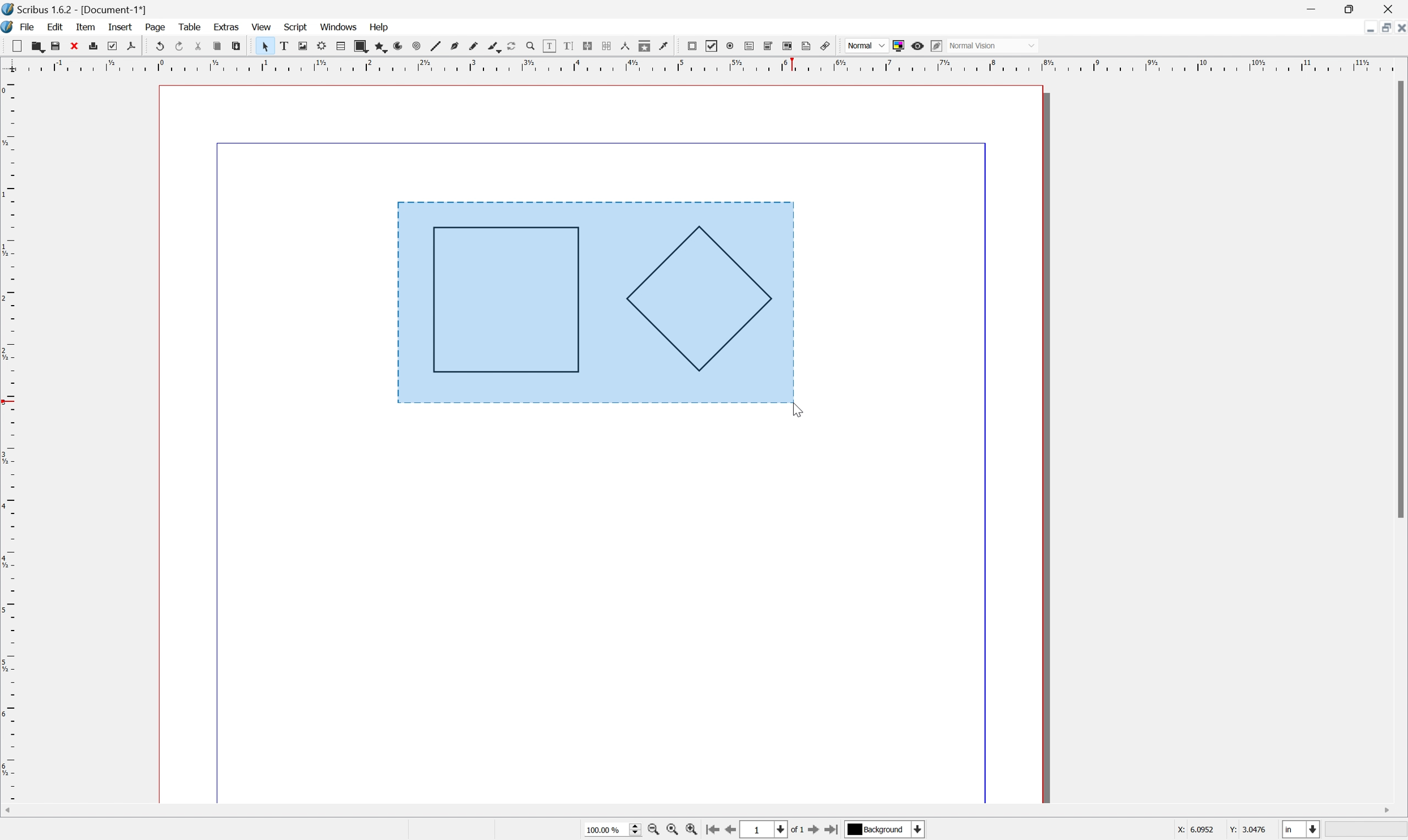  What do you see at coordinates (490, 45) in the screenshot?
I see `calligraphic line` at bounding box center [490, 45].